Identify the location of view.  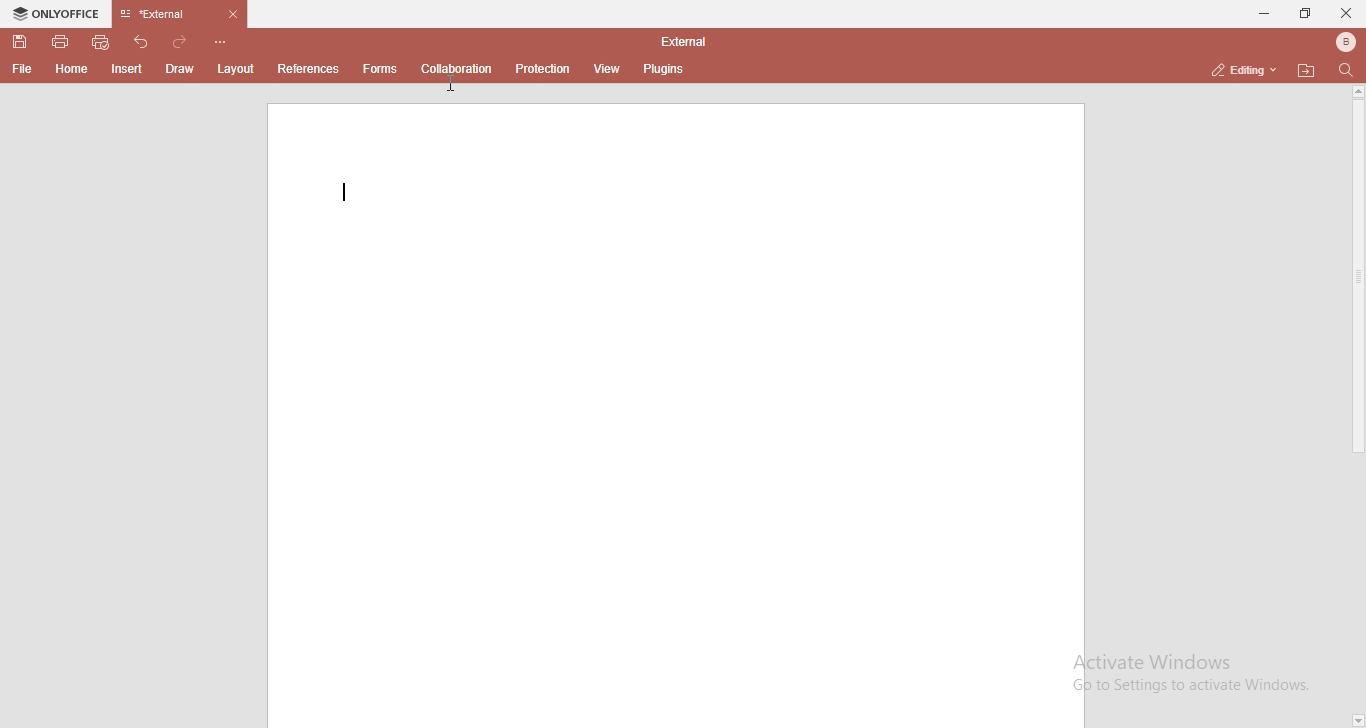
(609, 70).